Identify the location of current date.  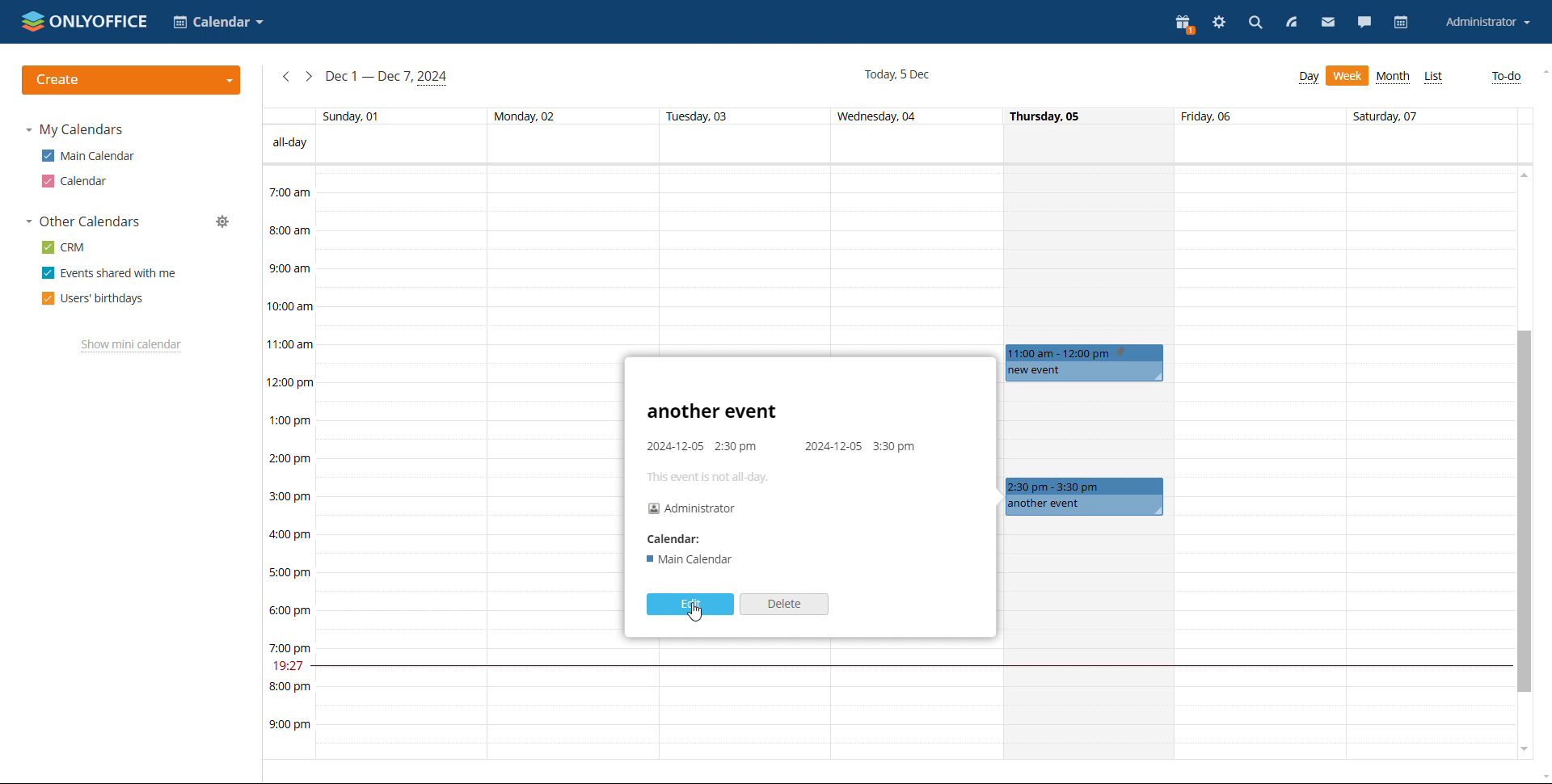
(897, 74).